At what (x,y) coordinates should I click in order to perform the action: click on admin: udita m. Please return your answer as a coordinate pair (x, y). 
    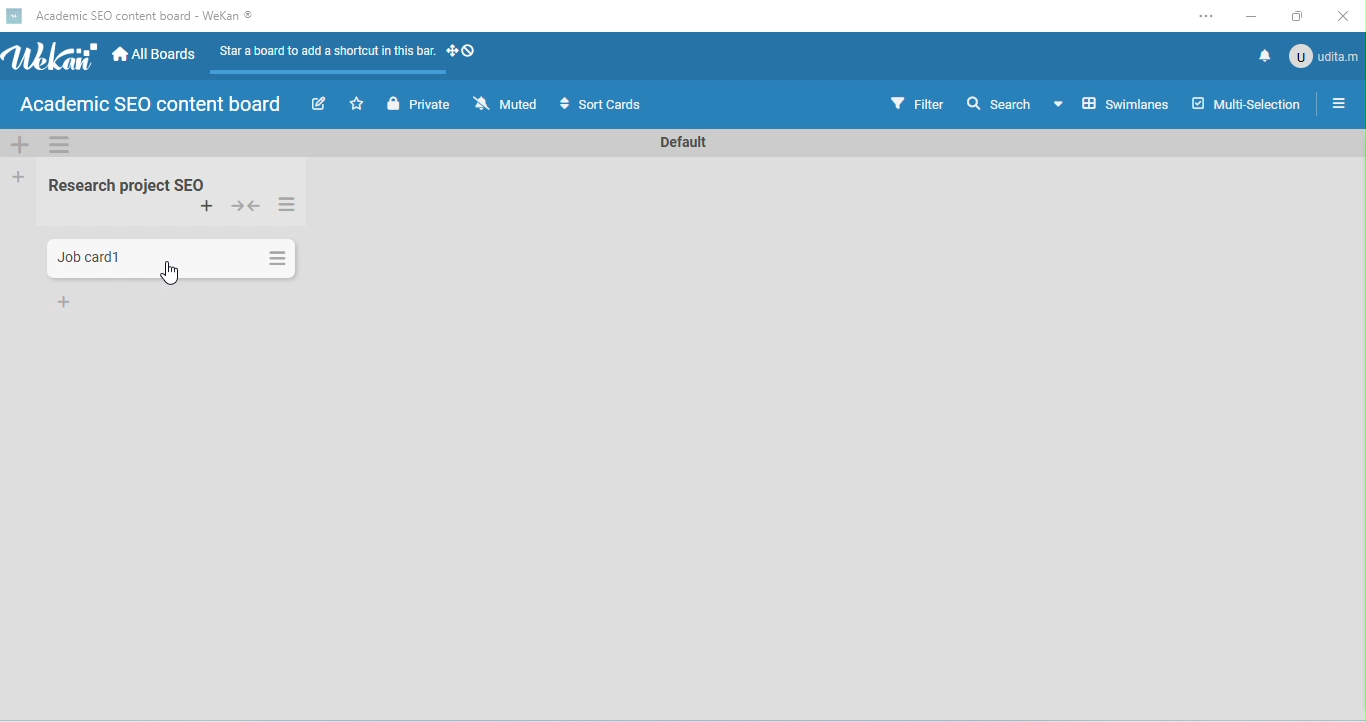
    Looking at the image, I should click on (1322, 55).